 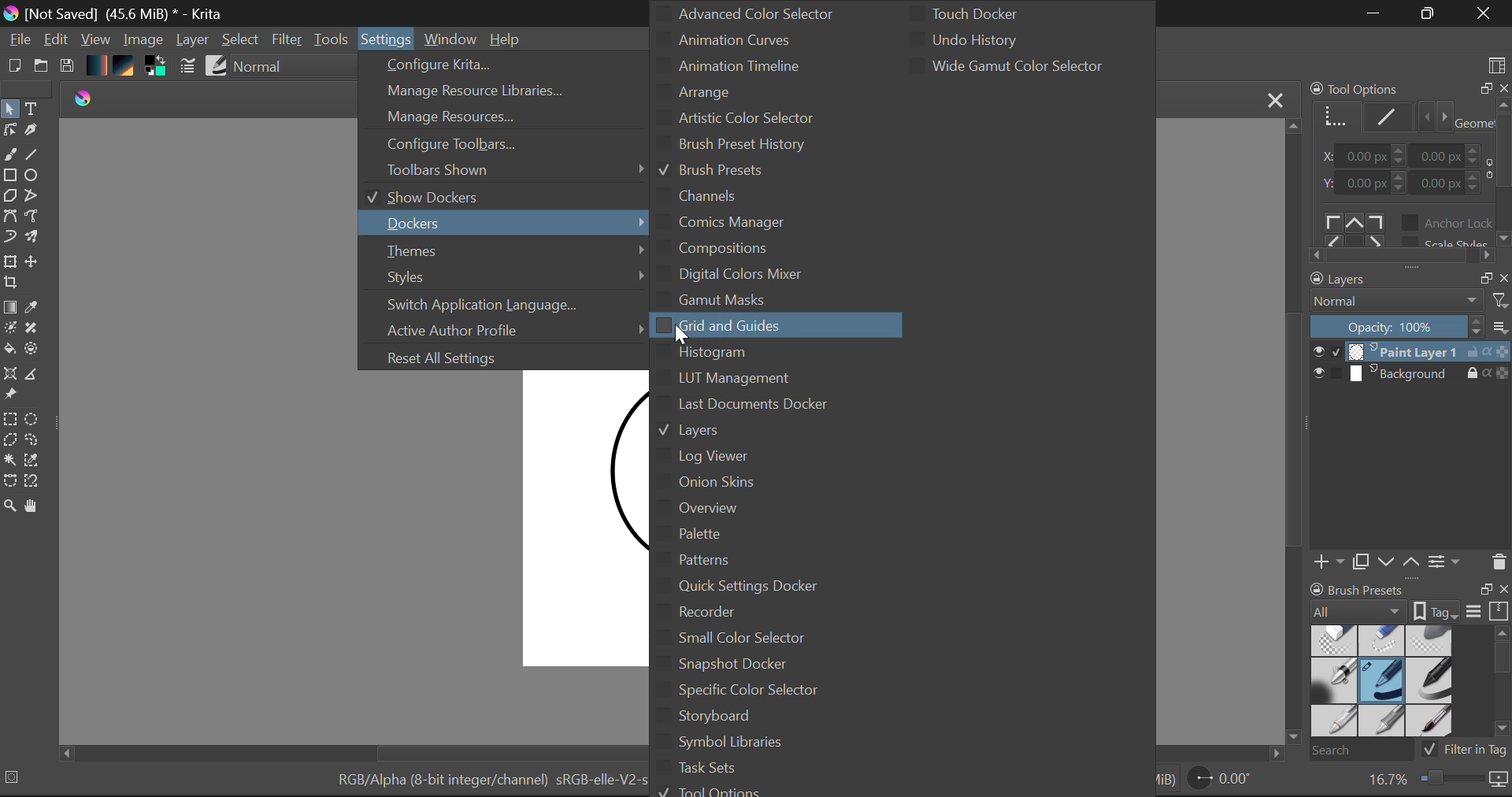 What do you see at coordinates (34, 262) in the screenshot?
I see `Move Layer` at bounding box center [34, 262].